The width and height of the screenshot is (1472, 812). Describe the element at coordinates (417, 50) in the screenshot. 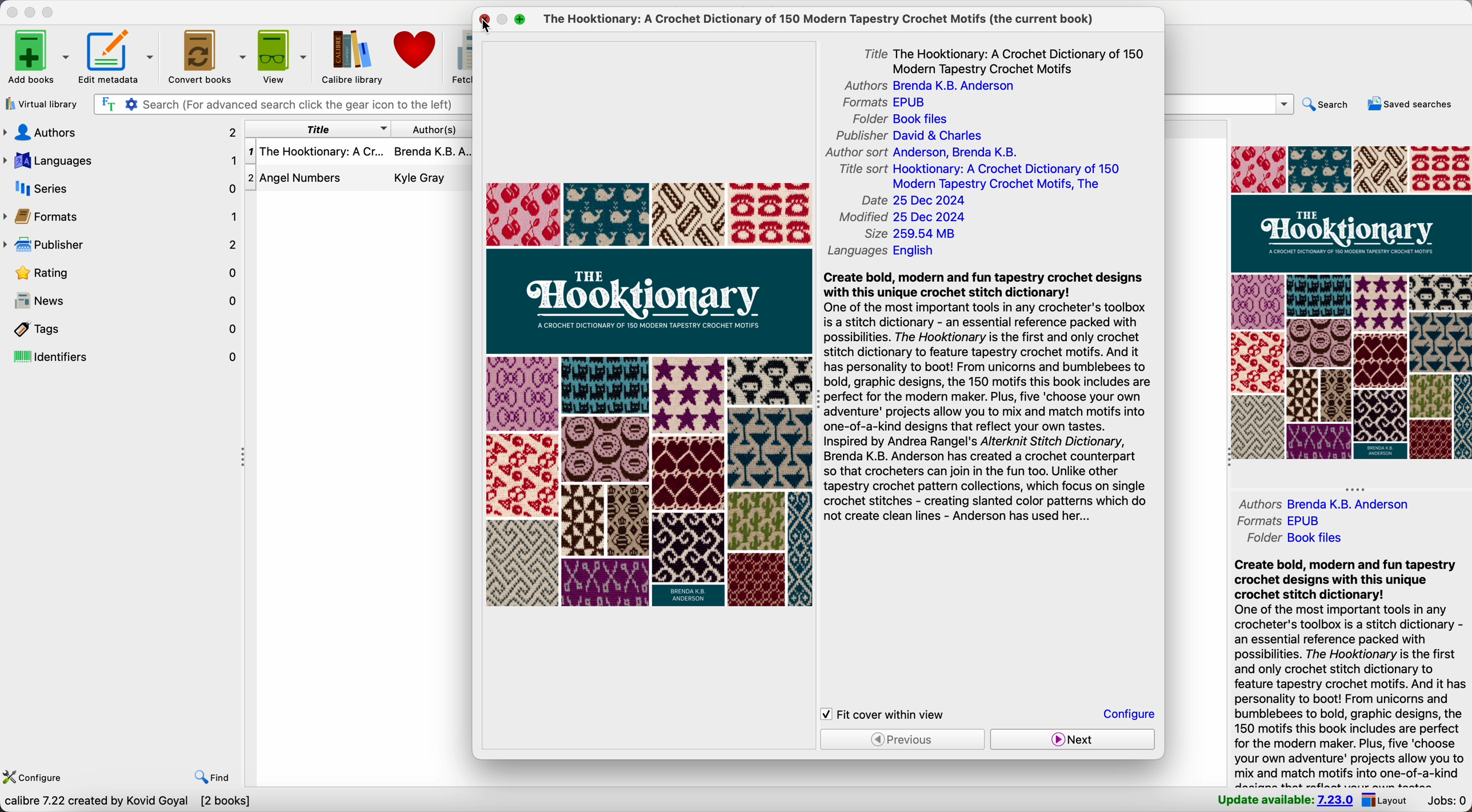

I see `donate` at that location.